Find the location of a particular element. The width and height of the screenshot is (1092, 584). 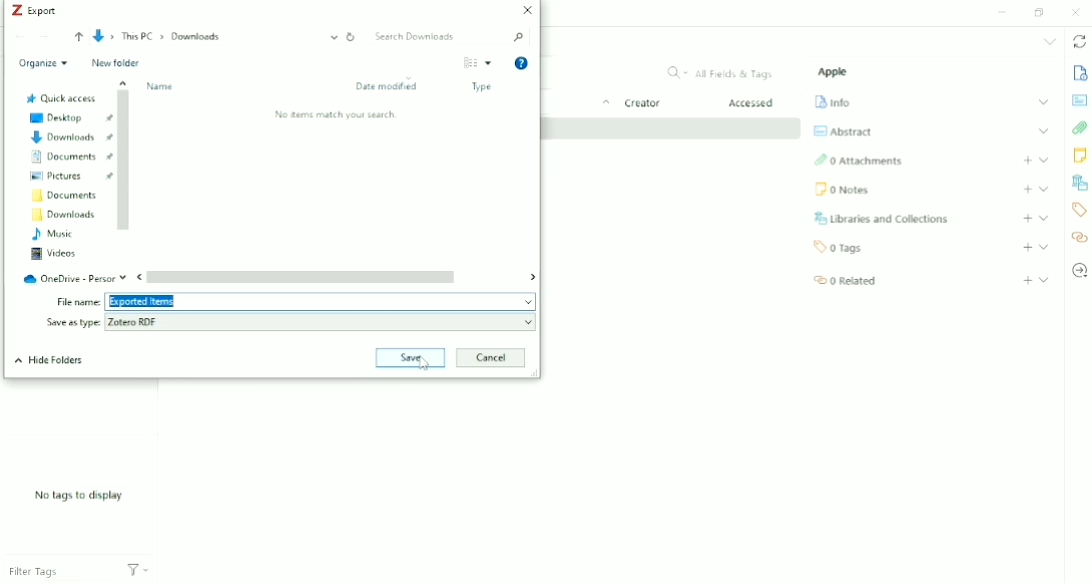

Cancel is located at coordinates (491, 358).